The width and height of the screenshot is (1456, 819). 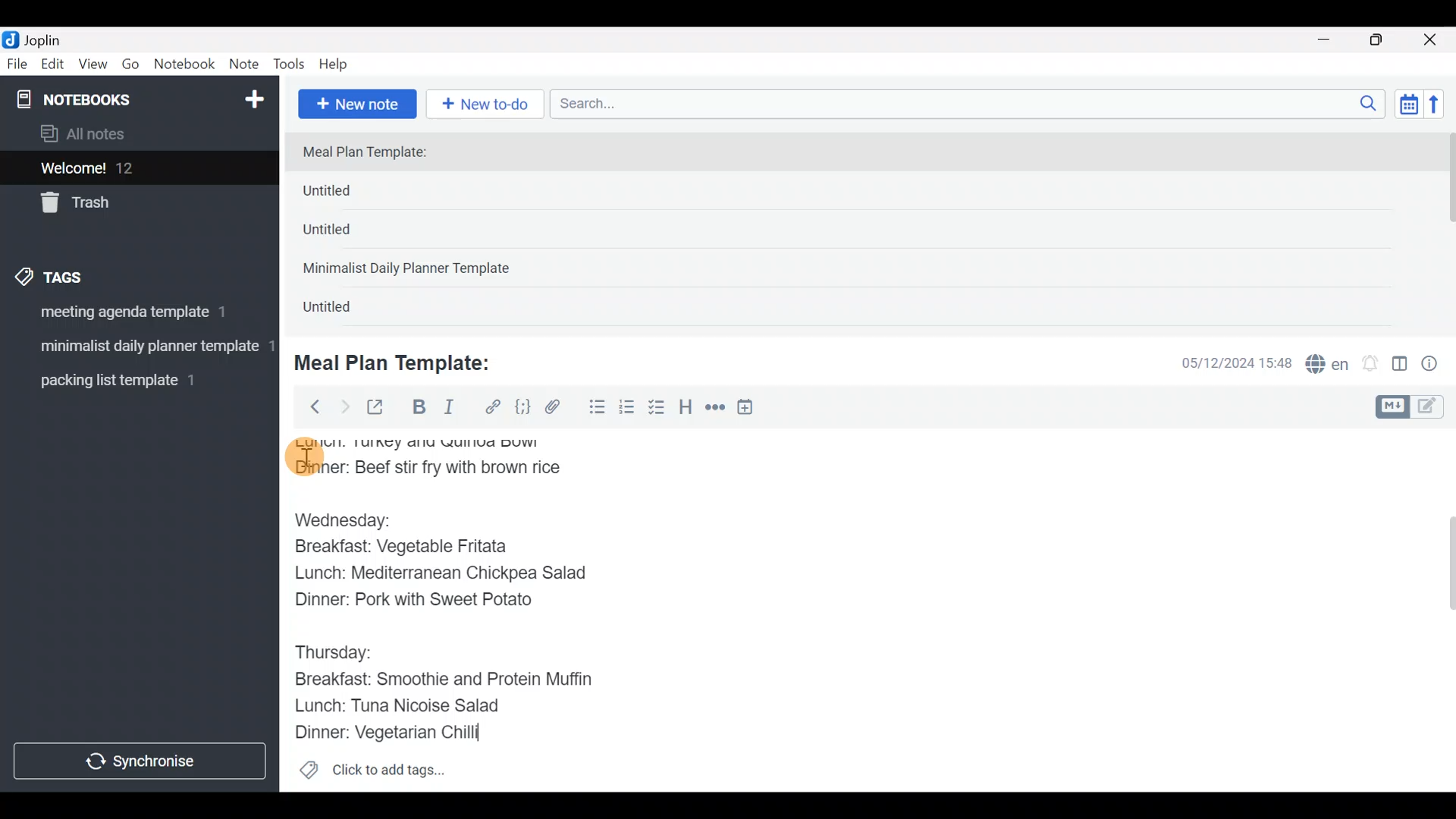 What do you see at coordinates (418, 409) in the screenshot?
I see `Bold` at bounding box center [418, 409].